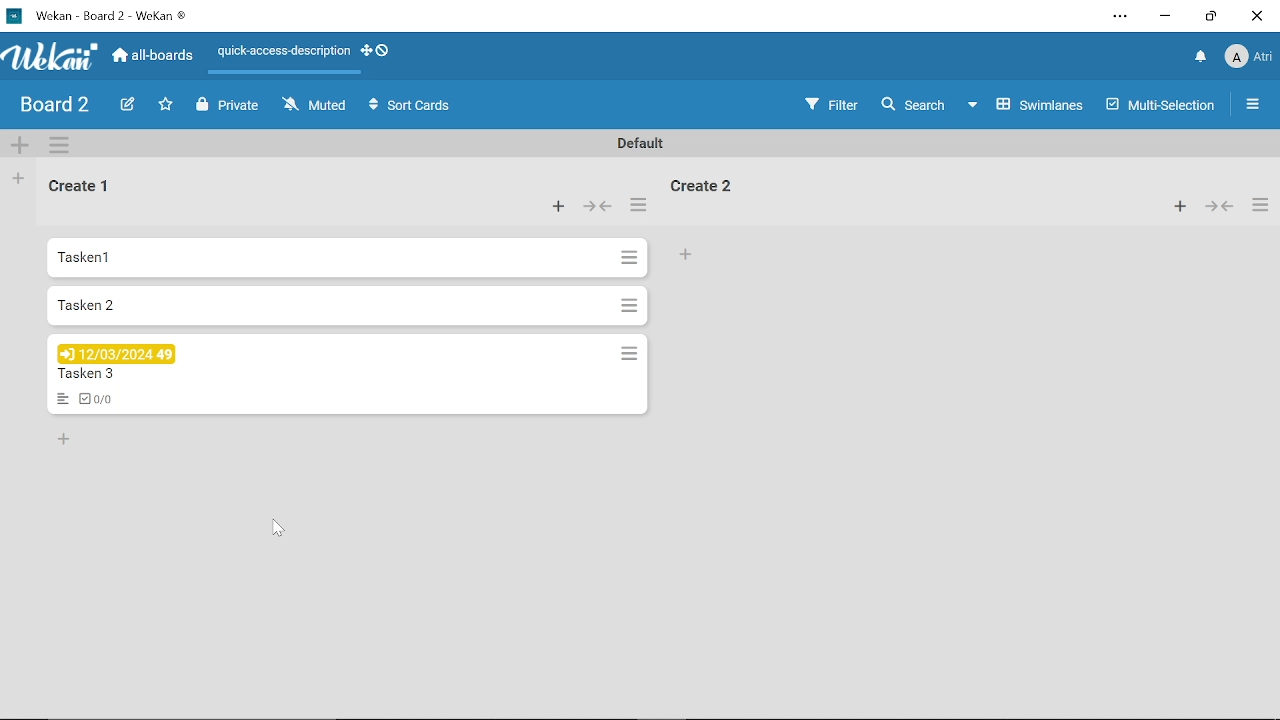 The width and height of the screenshot is (1280, 720). What do you see at coordinates (320, 105) in the screenshot?
I see `Muted` at bounding box center [320, 105].